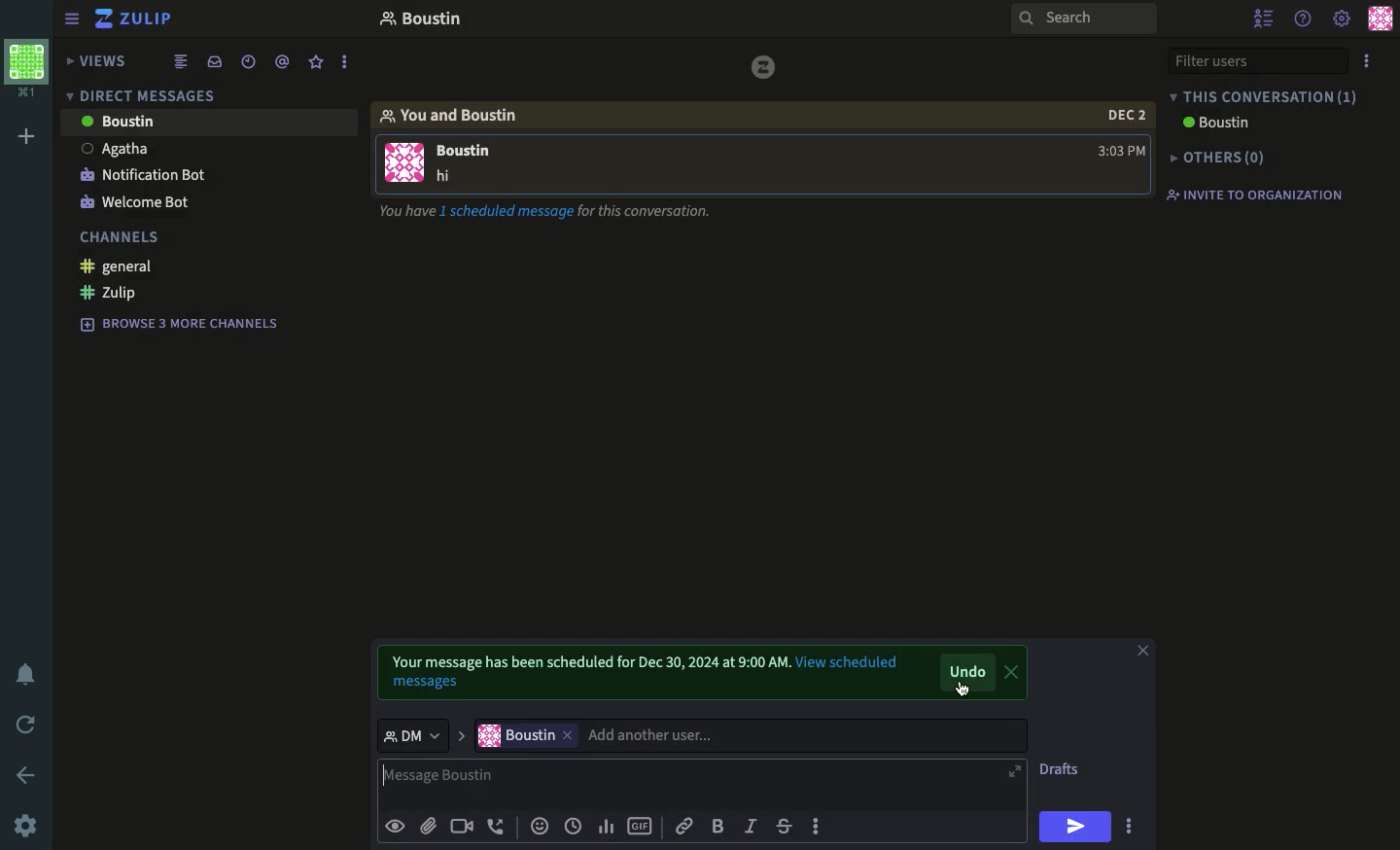 The width and height of the screenshot is (1400, 850). I want to click on cursor, so click(964, 692).